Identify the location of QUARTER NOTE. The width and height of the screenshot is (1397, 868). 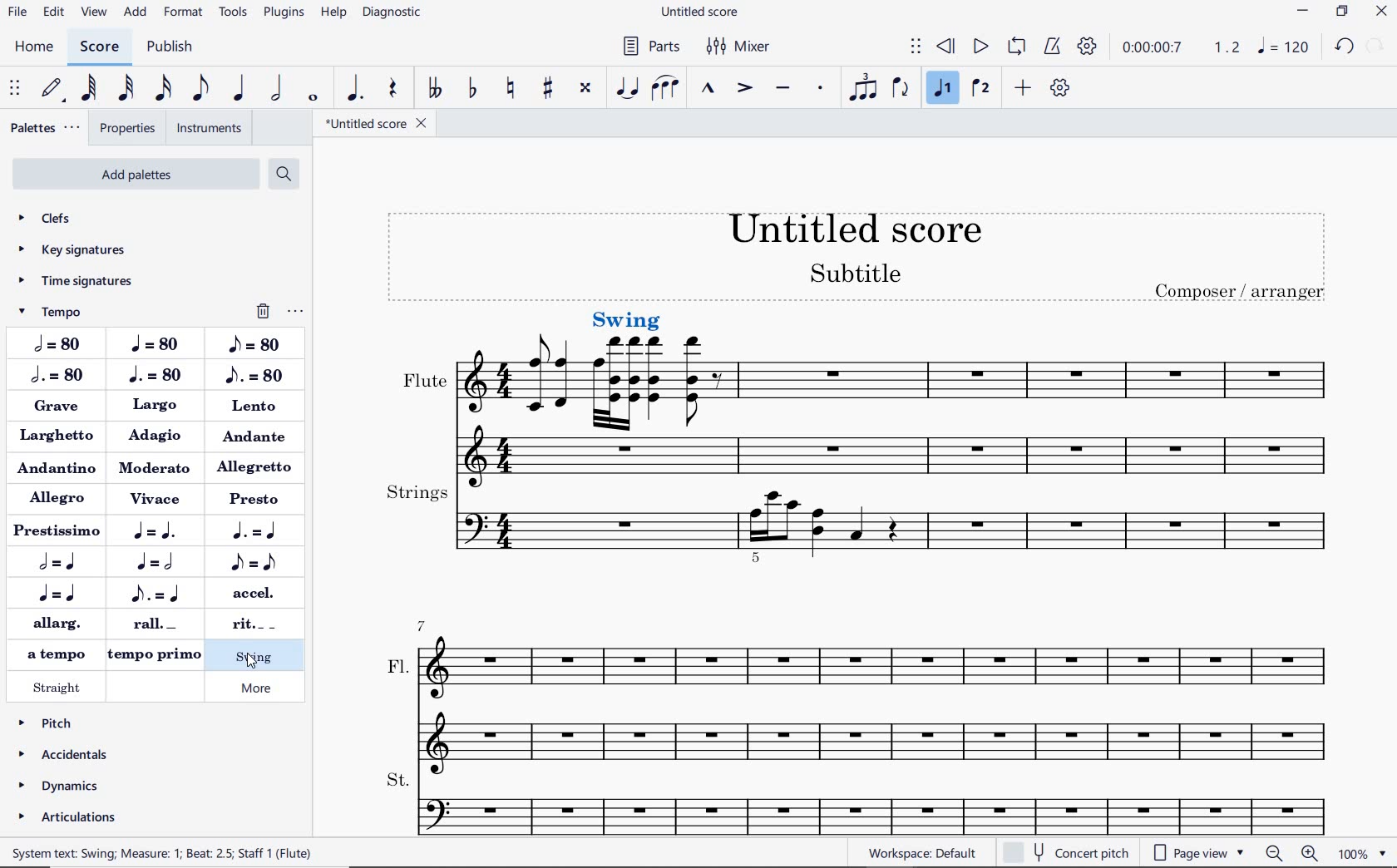
(158, 343).